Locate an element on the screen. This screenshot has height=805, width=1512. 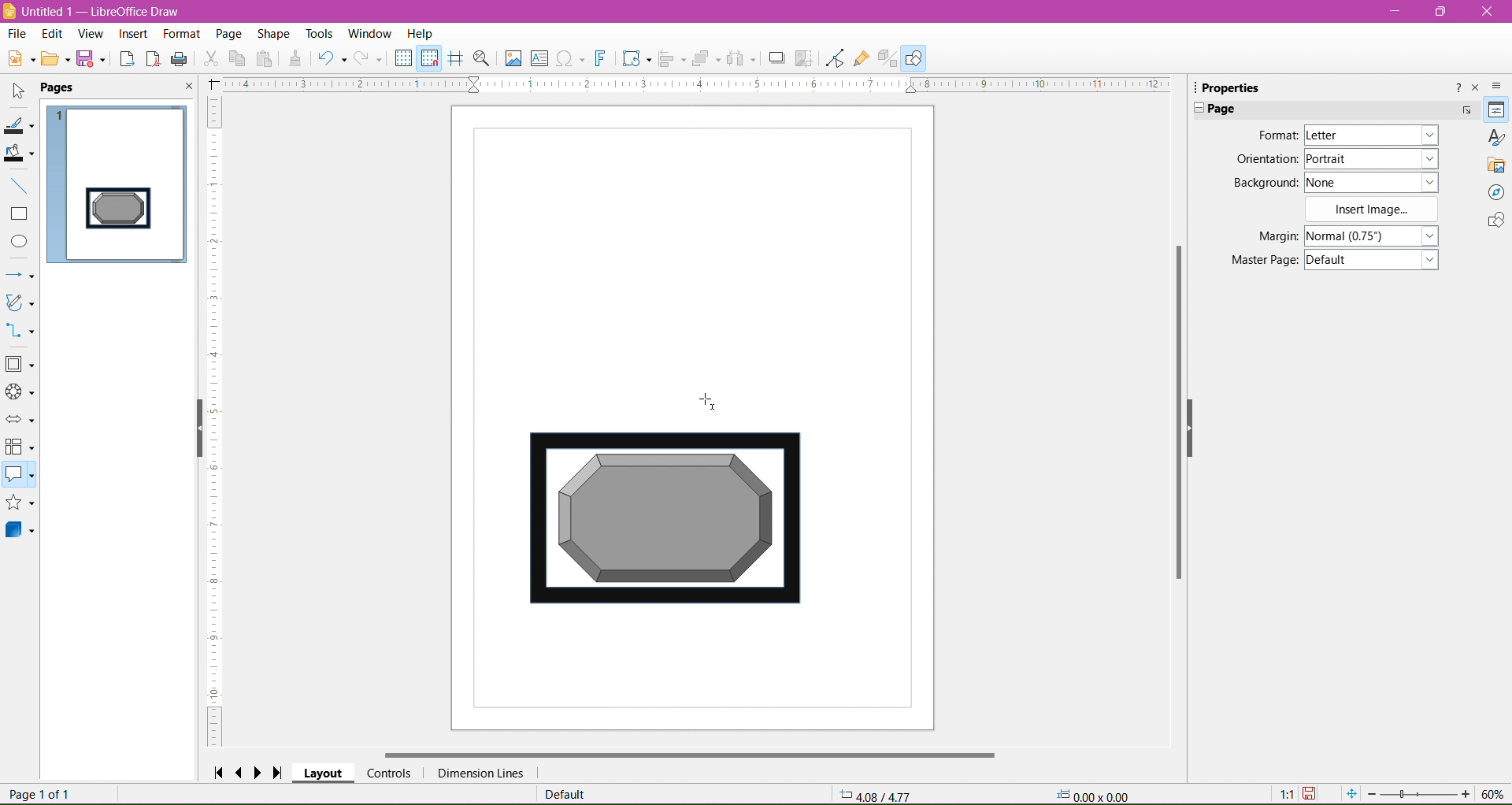
More Options is located at coordinates (1466, 110).